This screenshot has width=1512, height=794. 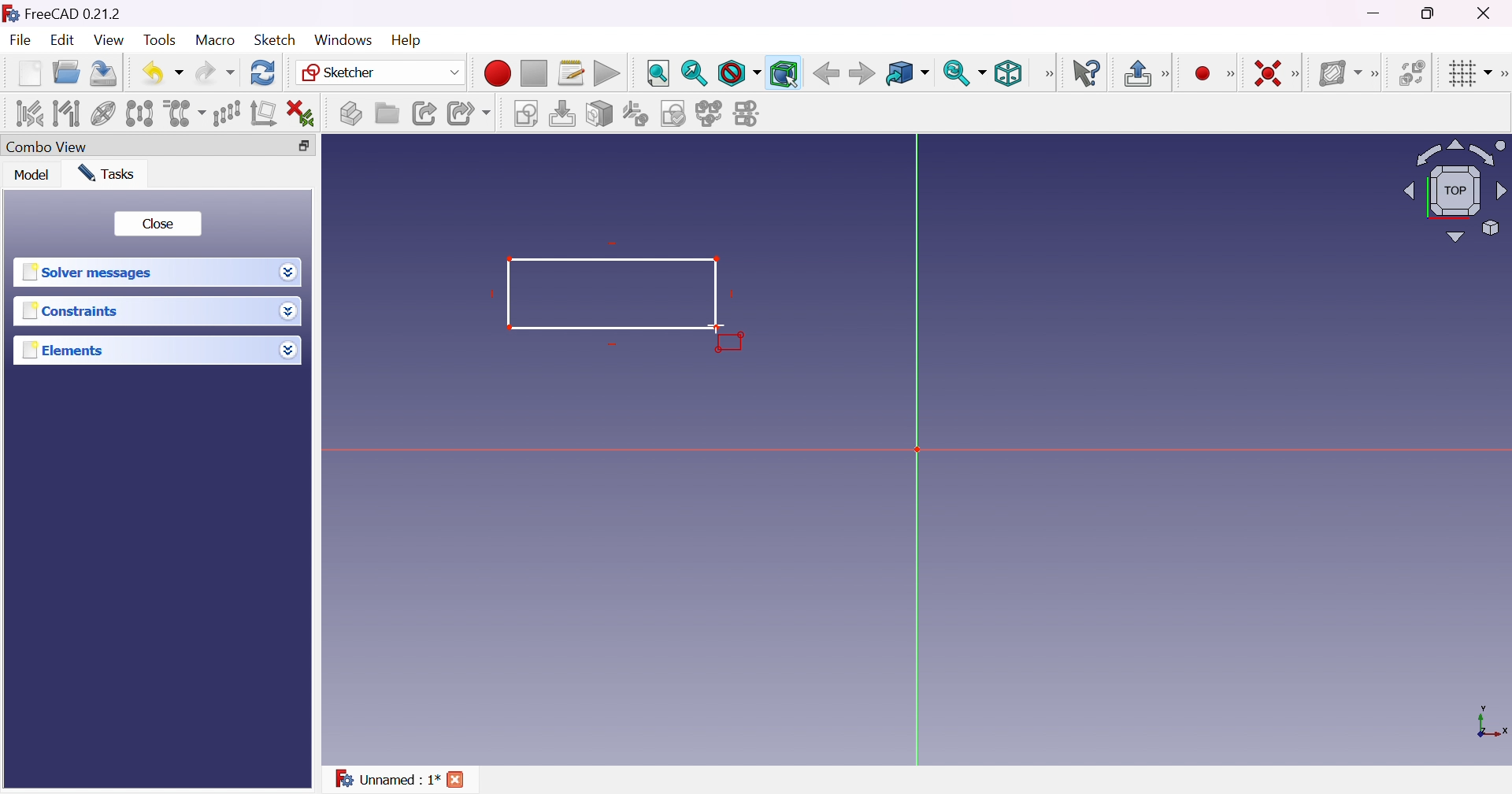 What do you see at coordinates (1270, 73) in the screenshot?
I see `Constrain coincident` at bounding box center [1270, 73].